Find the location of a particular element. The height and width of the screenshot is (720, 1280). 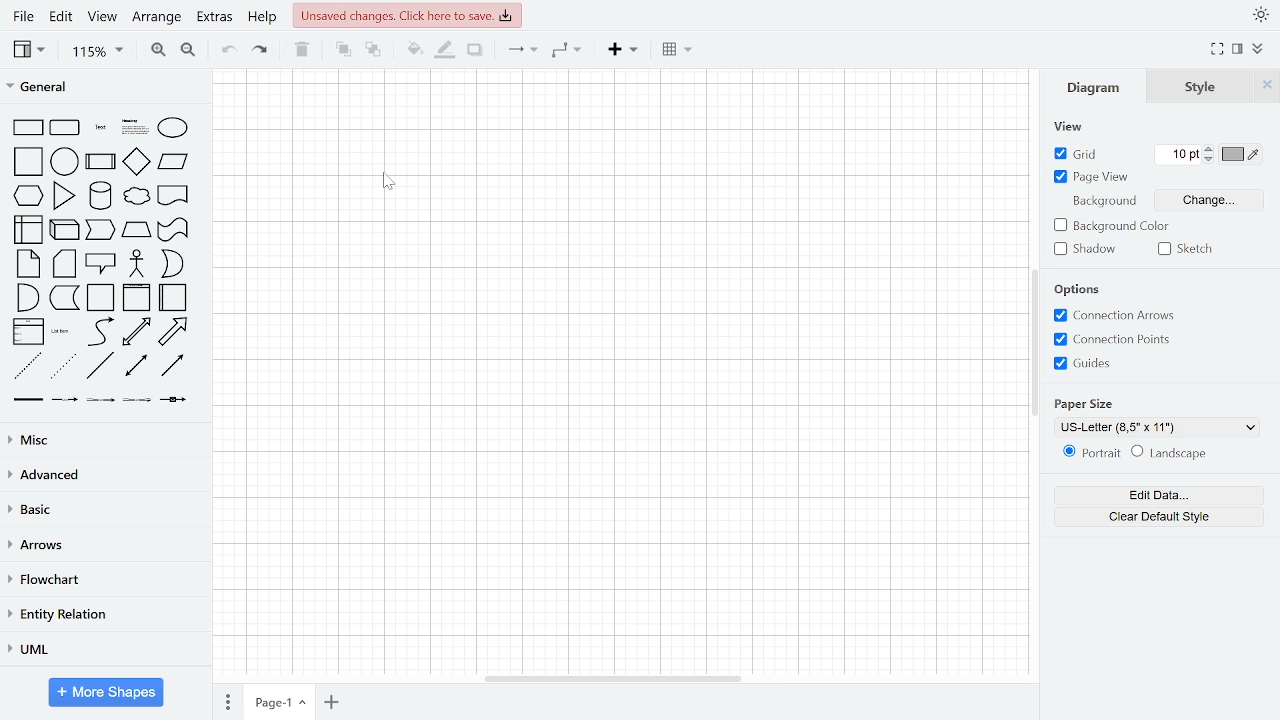

cursor is located at coordinates (390, 185).